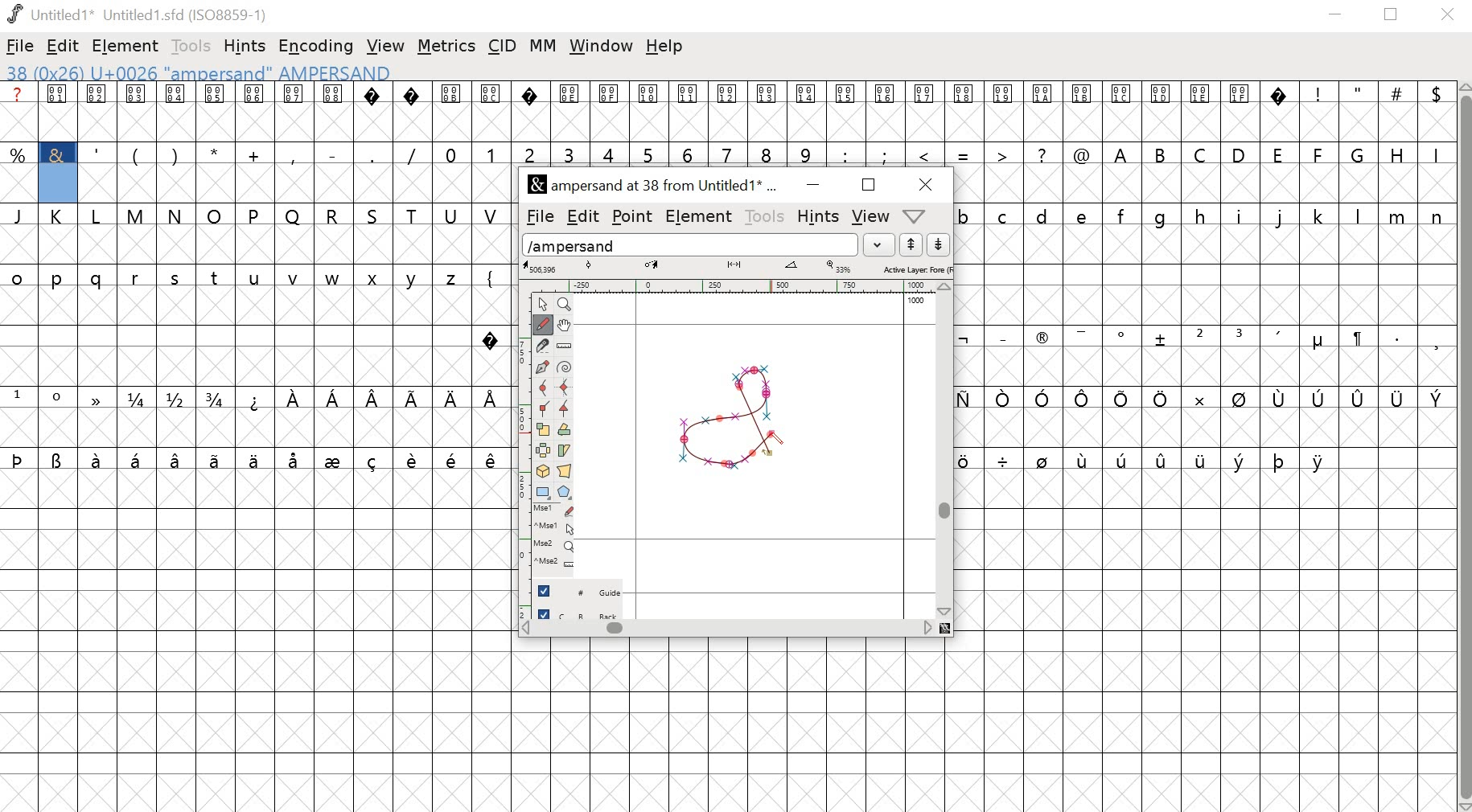 Image resolution: width=1472 pixels, height=812 pixels. I want to click on j, so click(1281, 218).